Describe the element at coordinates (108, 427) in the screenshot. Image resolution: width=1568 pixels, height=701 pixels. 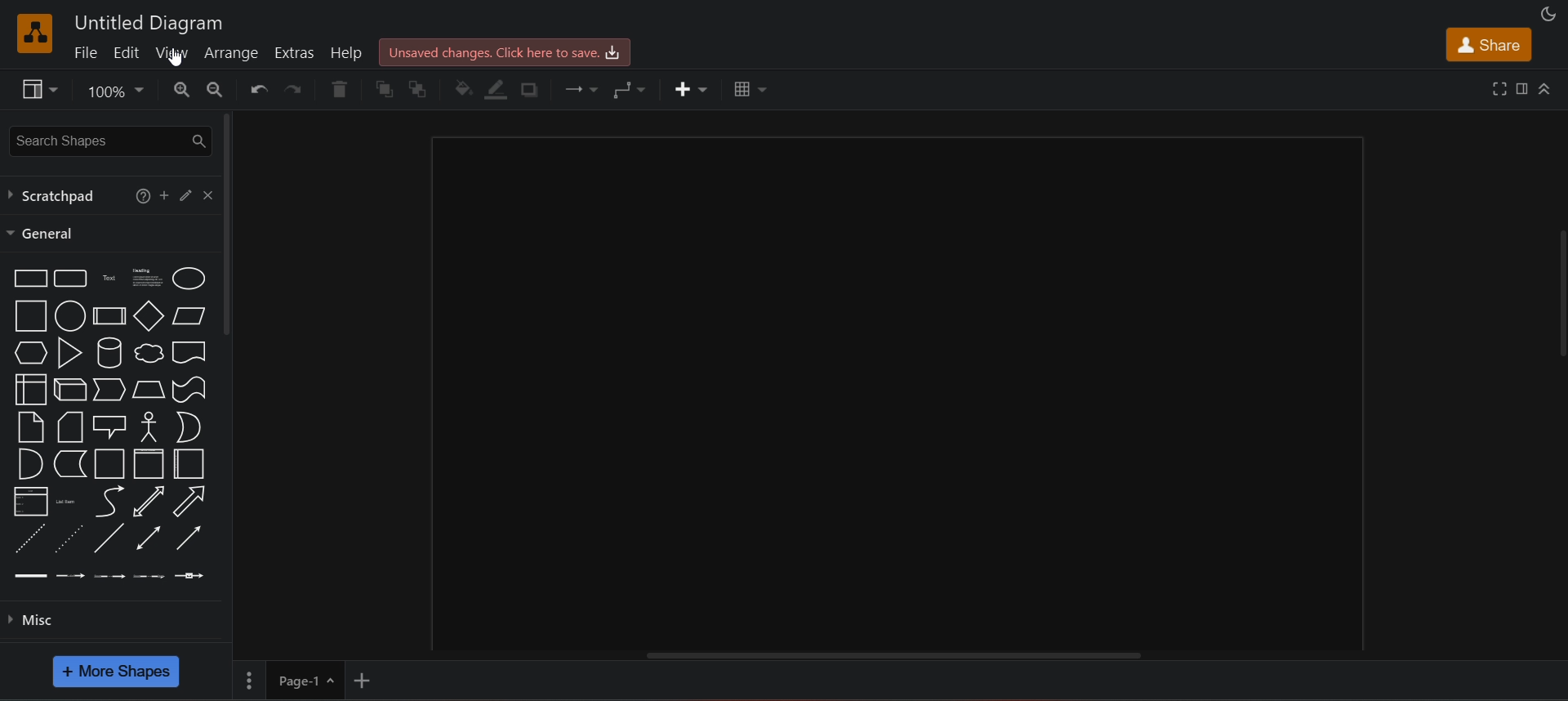
I see `callout` at that location.